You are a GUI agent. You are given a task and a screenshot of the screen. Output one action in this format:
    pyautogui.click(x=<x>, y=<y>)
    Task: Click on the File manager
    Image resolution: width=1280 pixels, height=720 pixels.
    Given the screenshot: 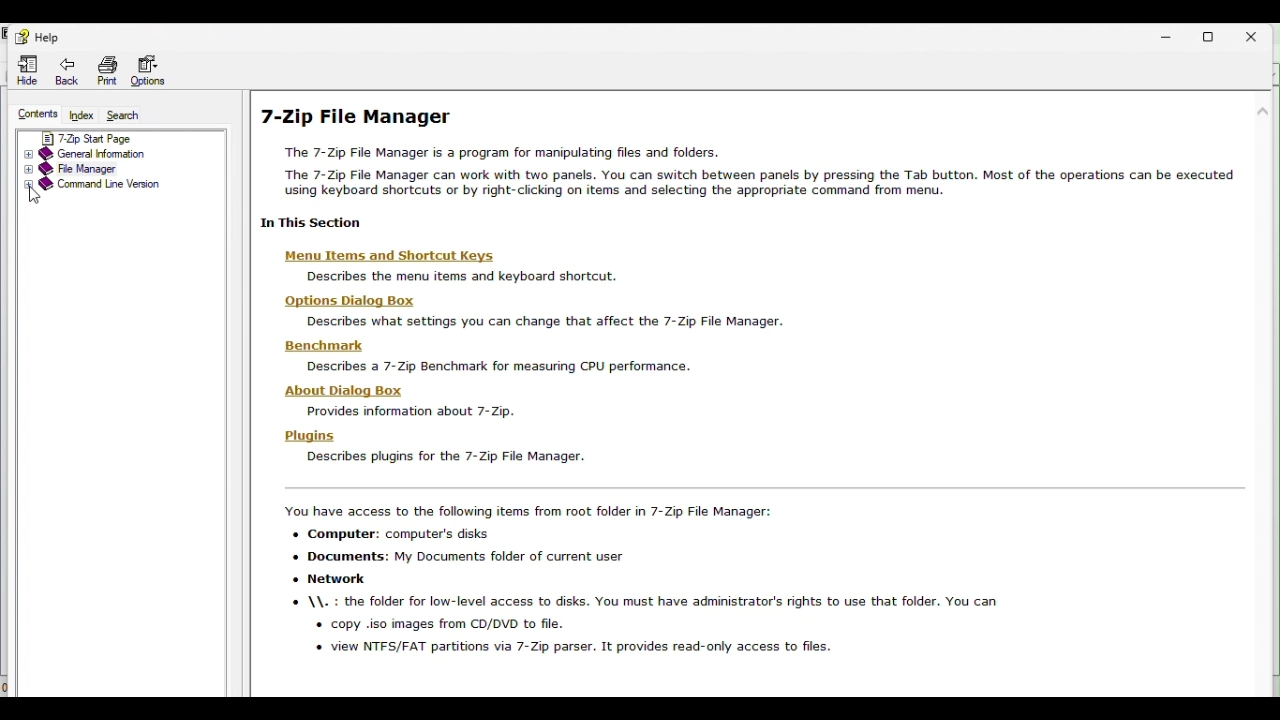 What is the action you would take?
    pyautogui.click(x=106, y=169)
    